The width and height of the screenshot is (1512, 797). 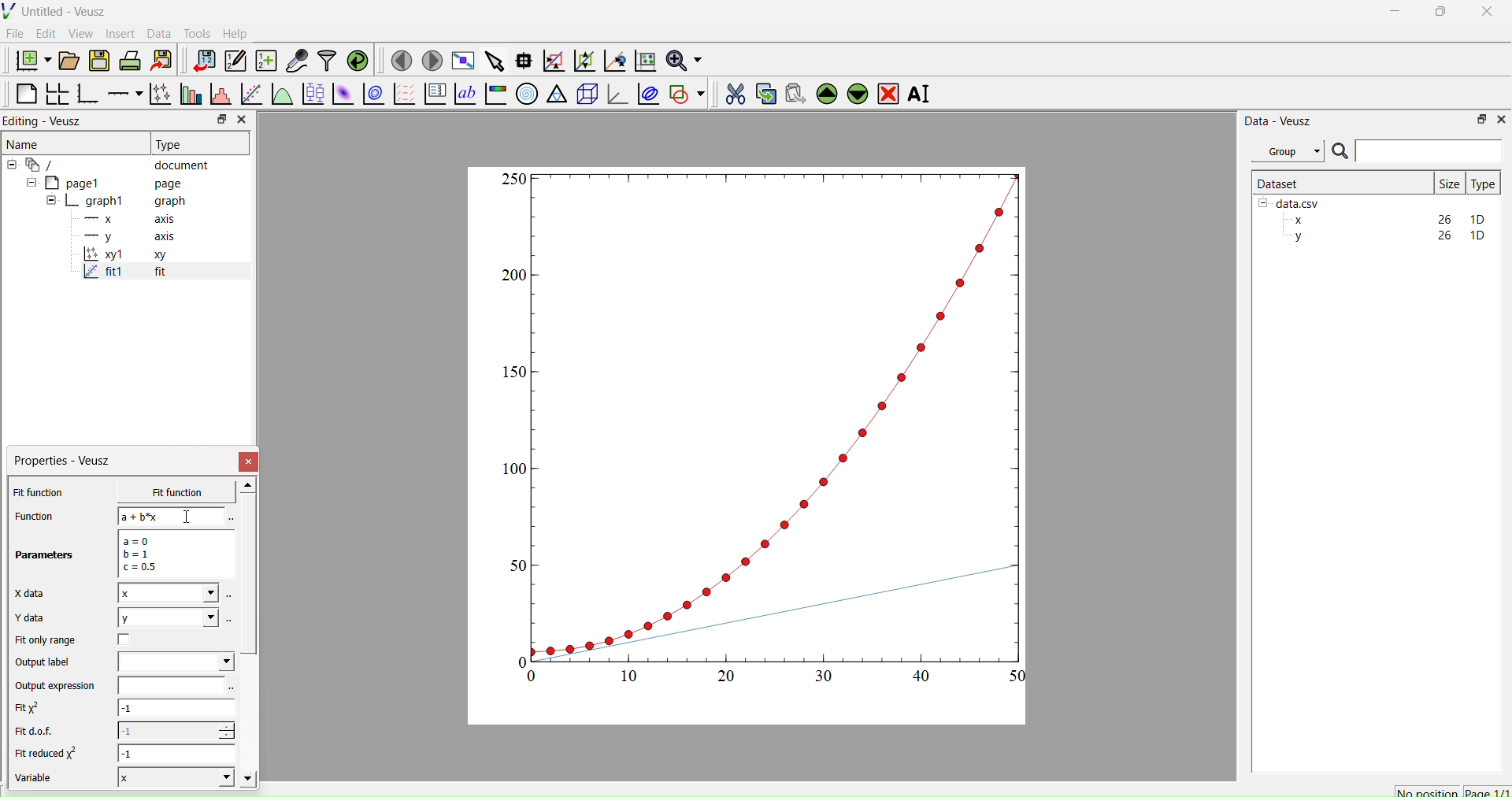 I want to click on Zoom out of graph axis, so click(x=583, y=59).